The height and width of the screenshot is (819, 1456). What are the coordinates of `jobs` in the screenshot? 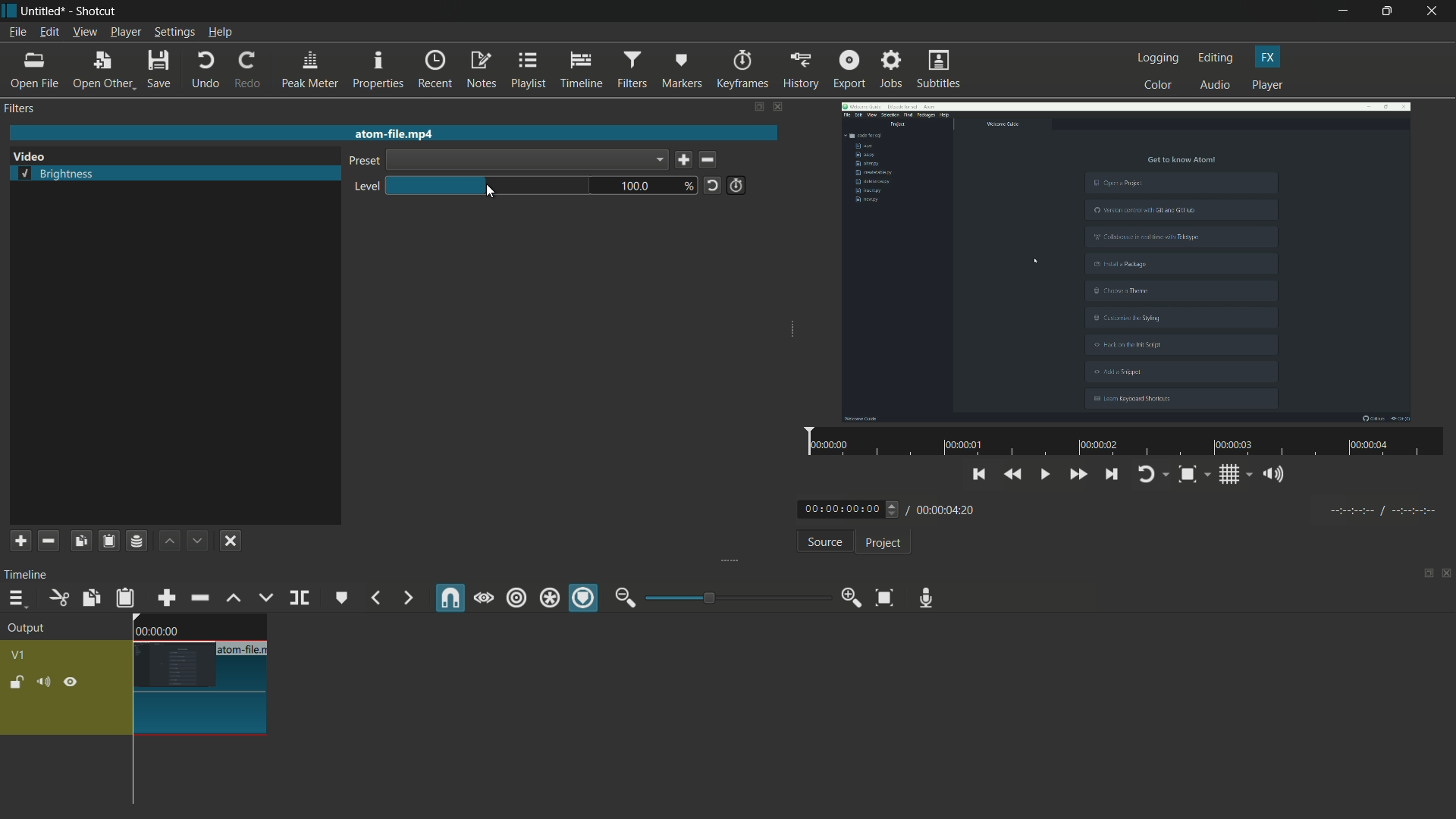 It's located at (891, 70).